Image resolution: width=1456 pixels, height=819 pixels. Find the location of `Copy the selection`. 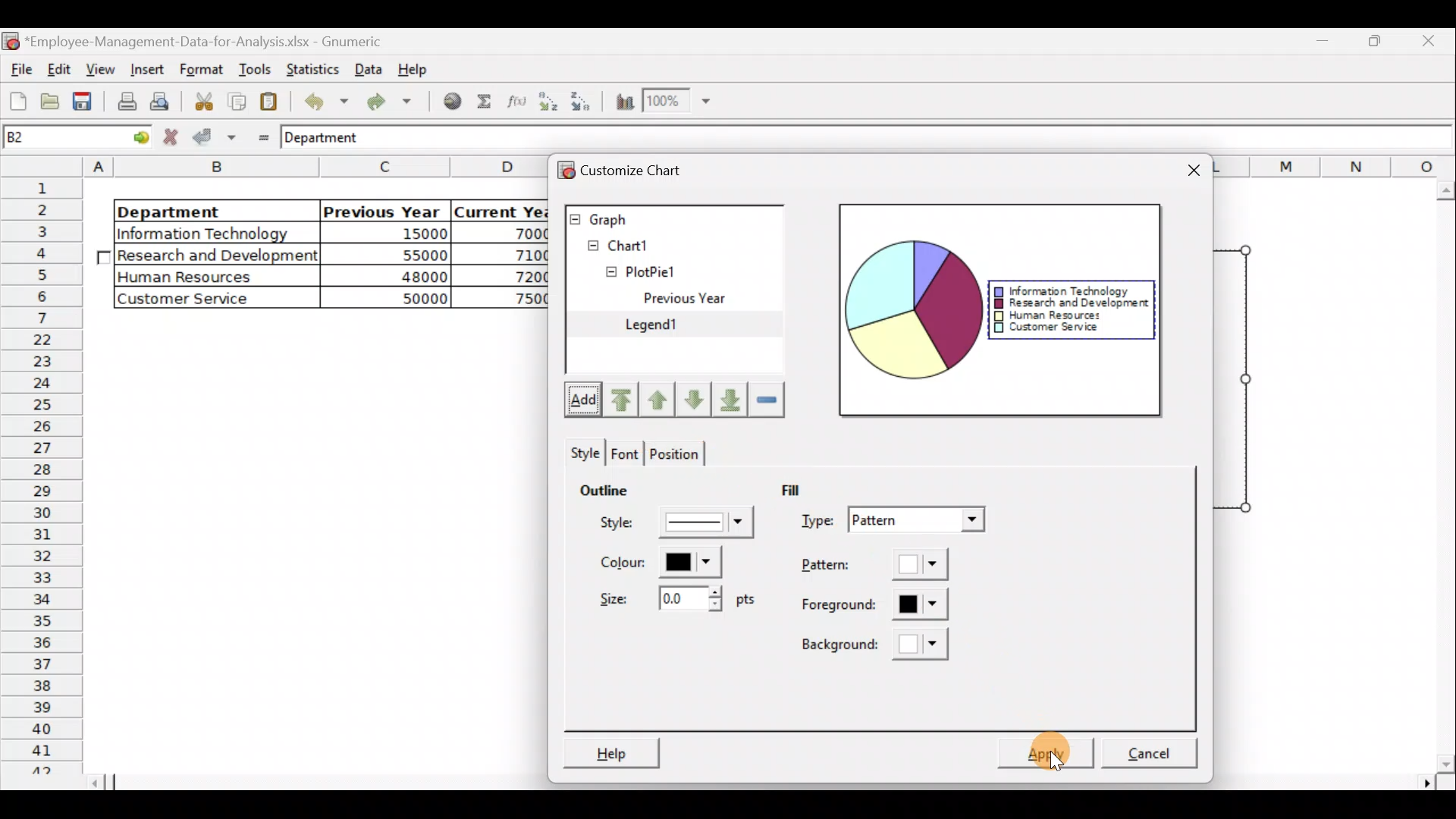

Copy the selection is located at coordinates (236, 102).